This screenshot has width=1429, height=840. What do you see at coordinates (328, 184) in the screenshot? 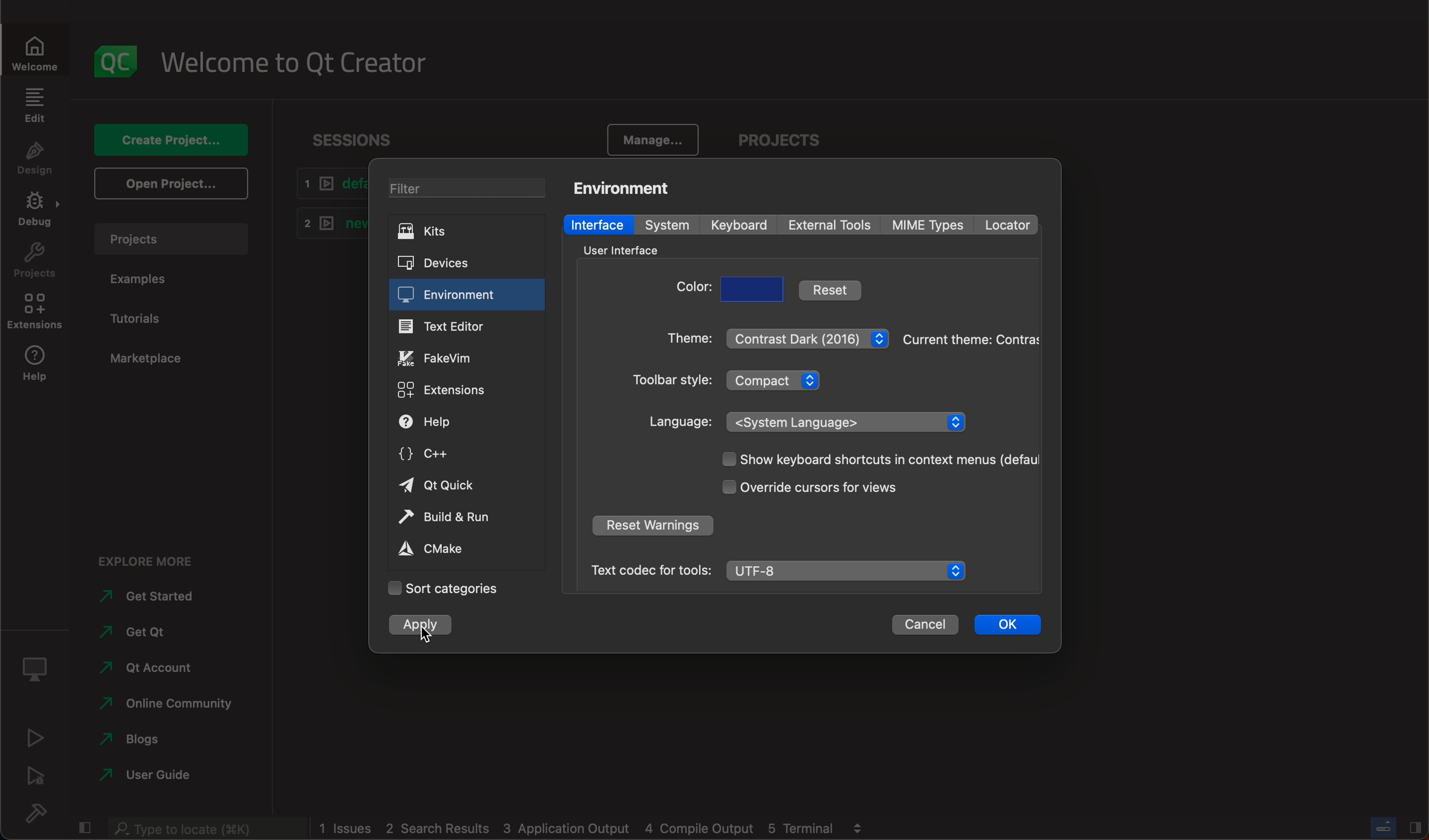
I see `1` at bounding box center [328, 184].